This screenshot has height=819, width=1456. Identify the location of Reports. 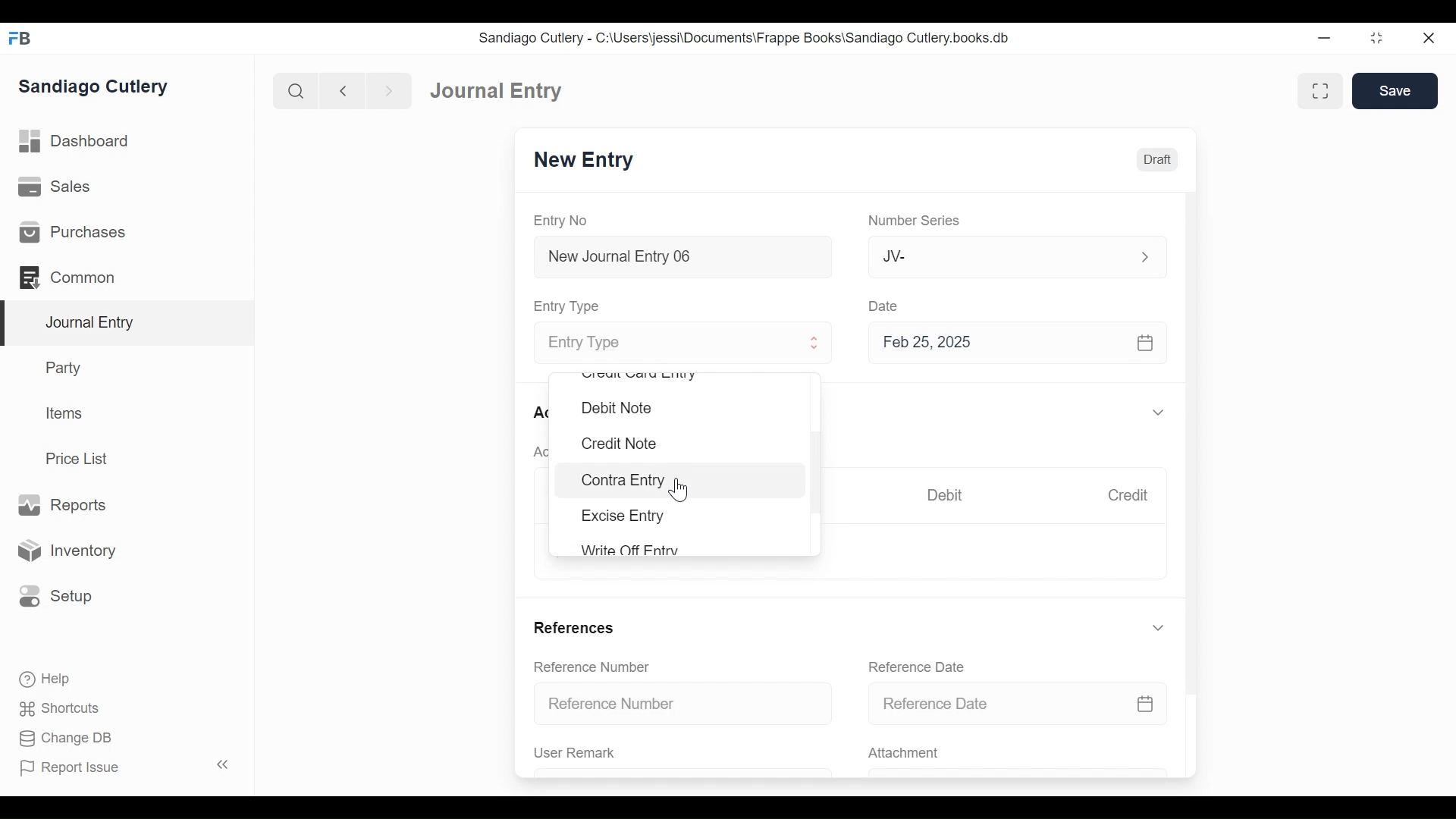
(61, 506).